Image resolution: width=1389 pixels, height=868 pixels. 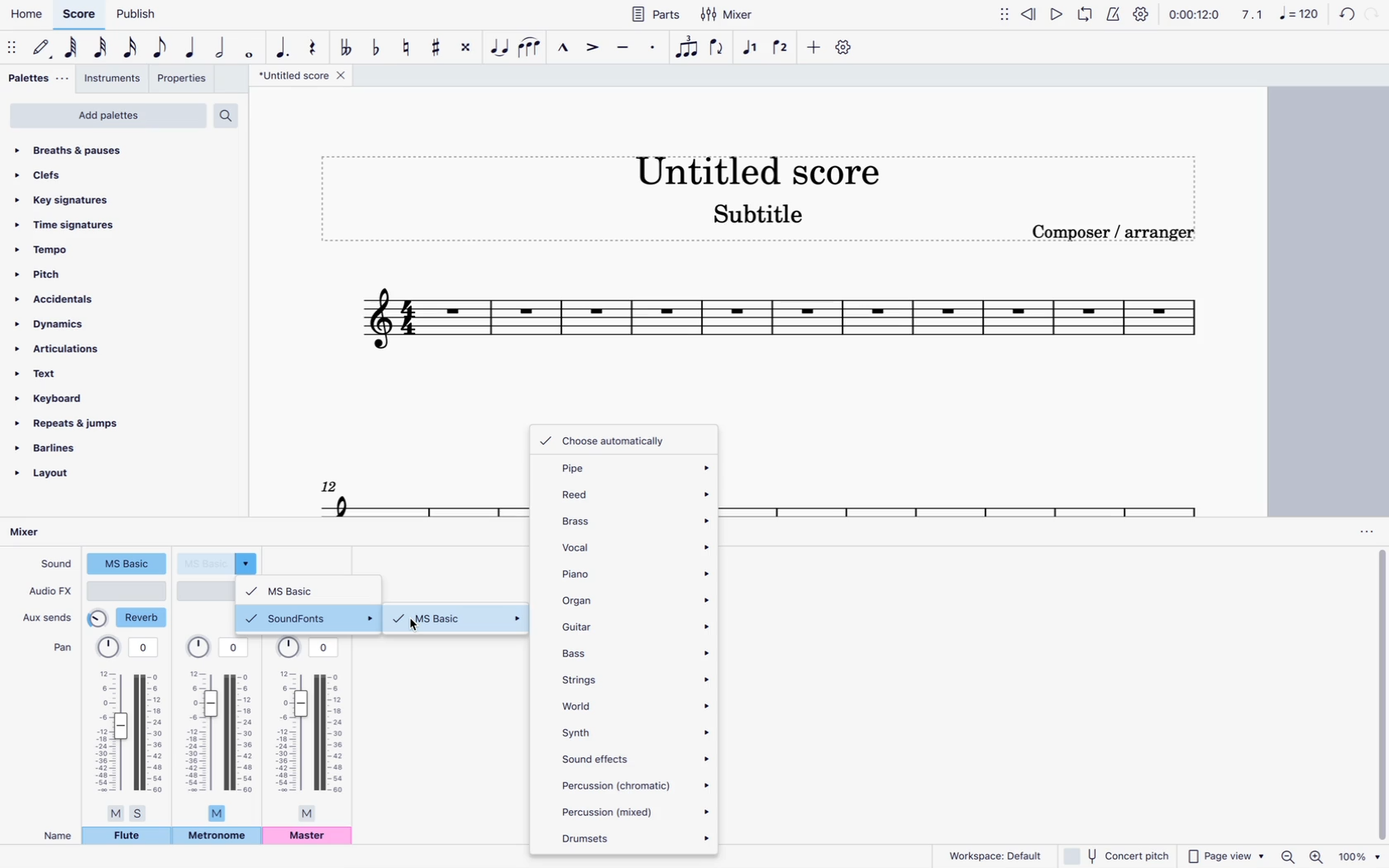 I want to click on zoom in, so click(x=1316, y=856).